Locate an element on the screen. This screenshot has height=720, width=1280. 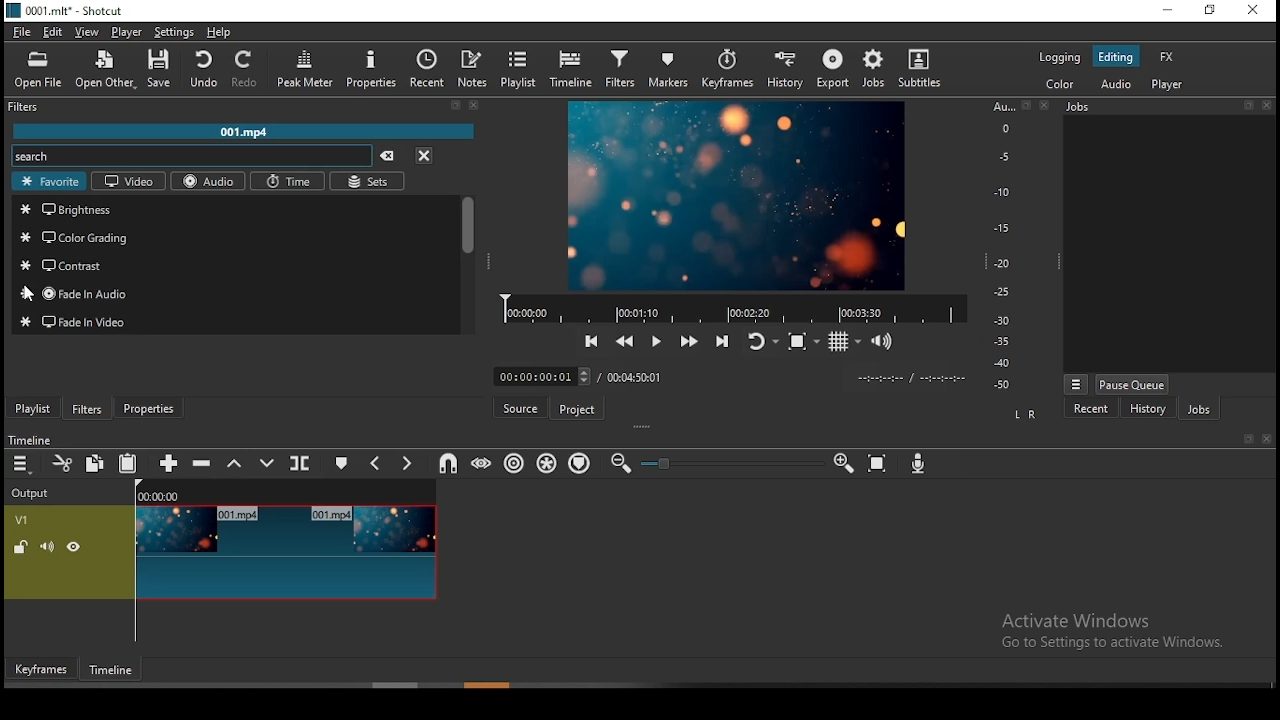
create/edit marker is located at coordinates (344, 463).